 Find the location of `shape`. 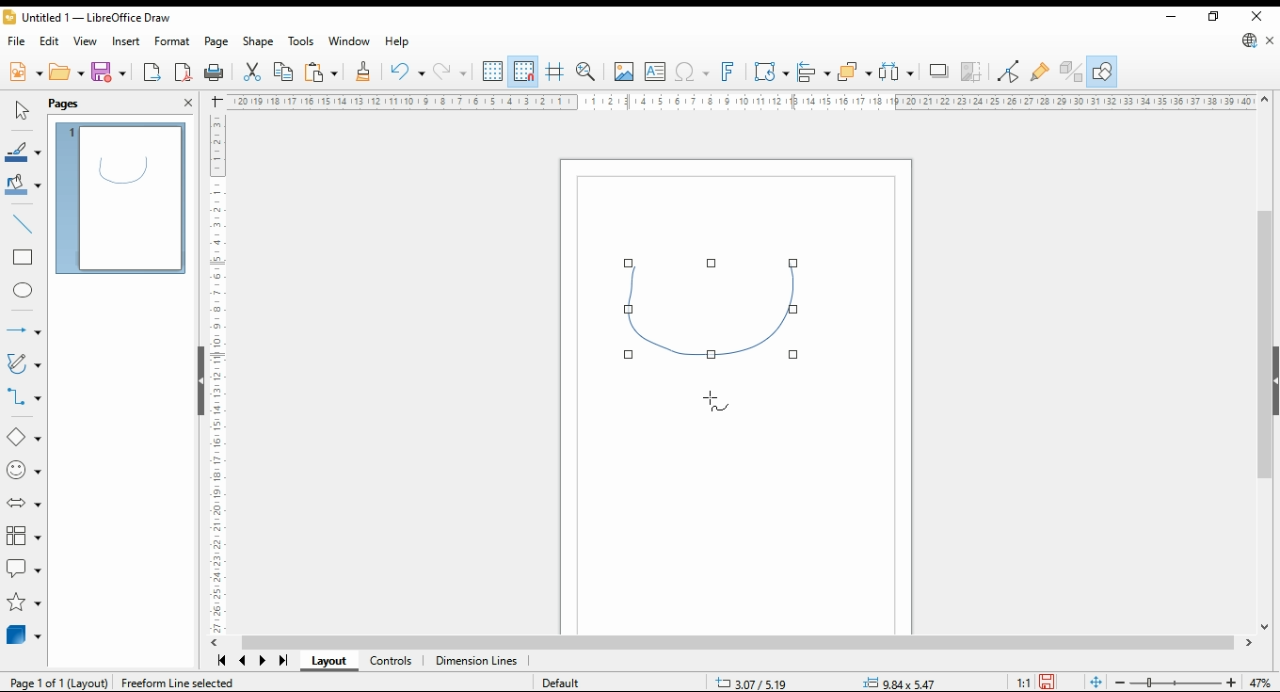

shape is located at coordinates (716, 313).